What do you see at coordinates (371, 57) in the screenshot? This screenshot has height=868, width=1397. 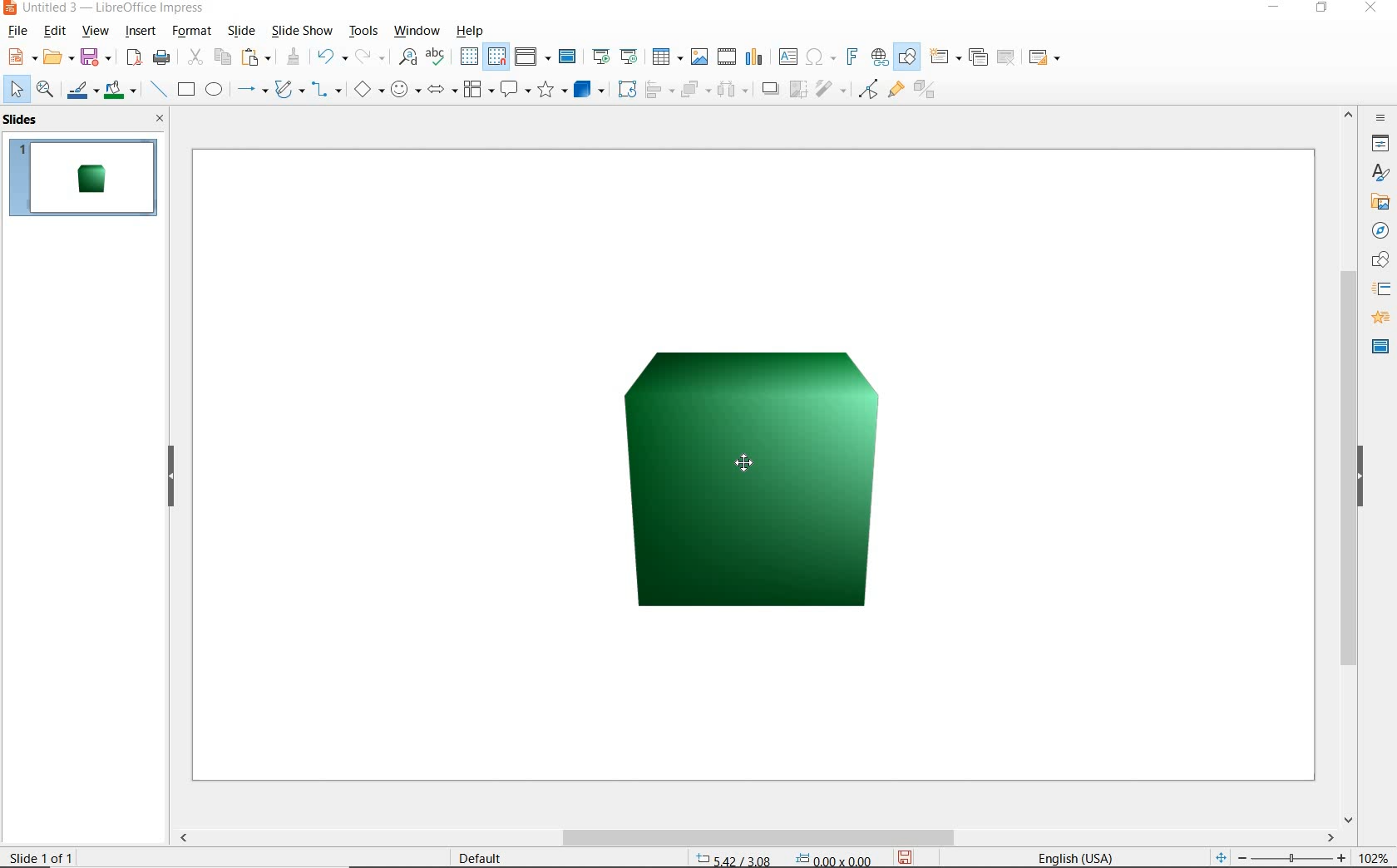 I see `redo` at bounding box center [371, 57].